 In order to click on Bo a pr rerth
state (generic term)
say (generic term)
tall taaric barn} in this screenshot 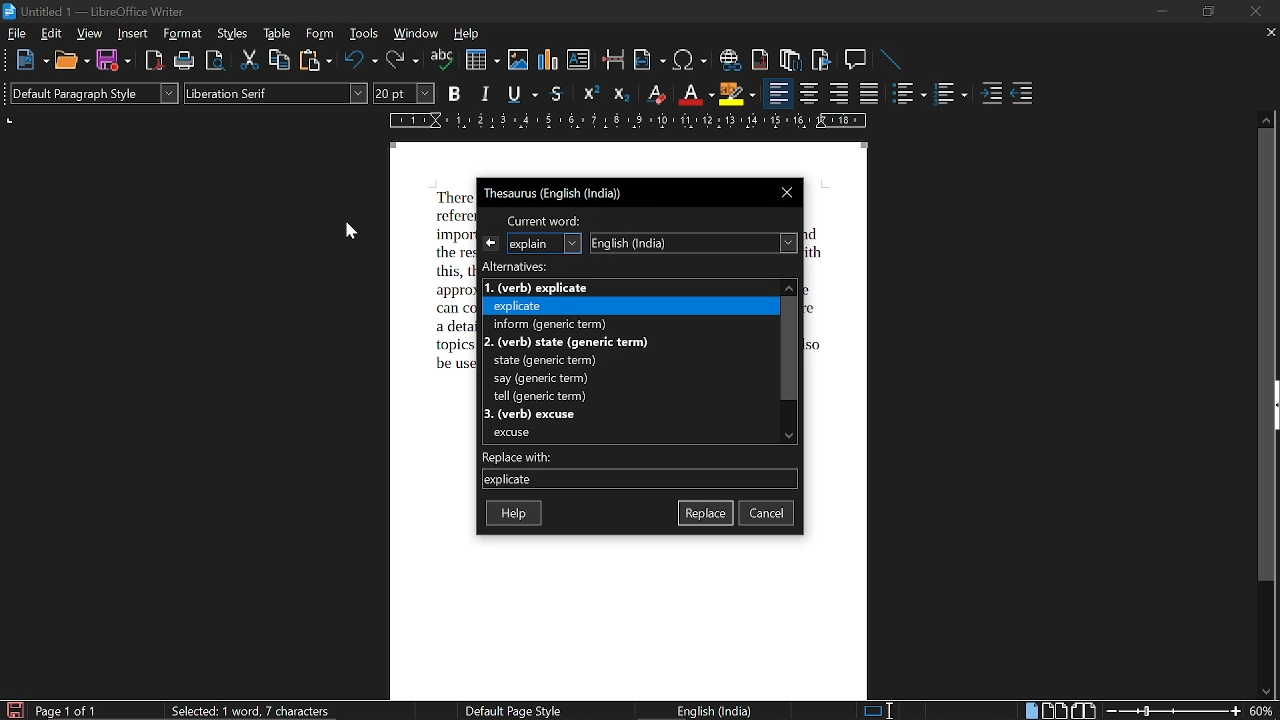, I will do `click(627, 368)`.